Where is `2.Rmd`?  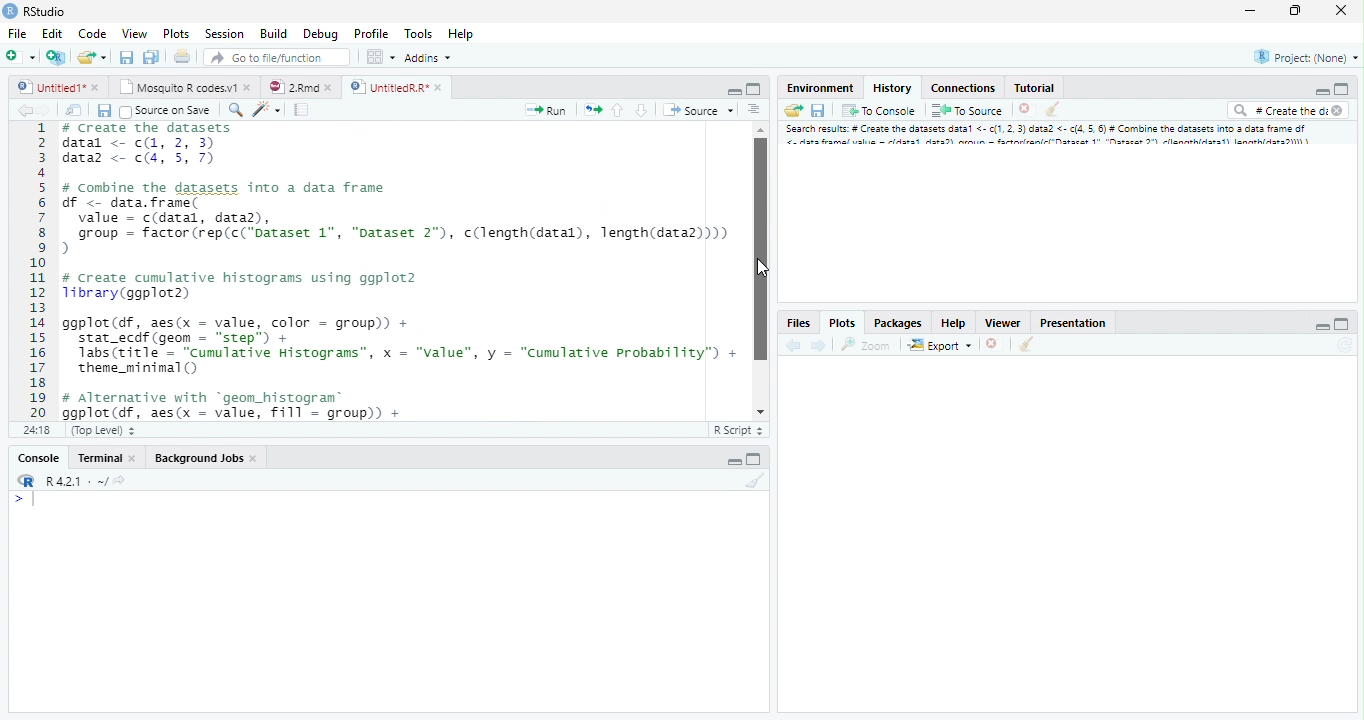
2.Rmd is located at coordinates (298, 85).